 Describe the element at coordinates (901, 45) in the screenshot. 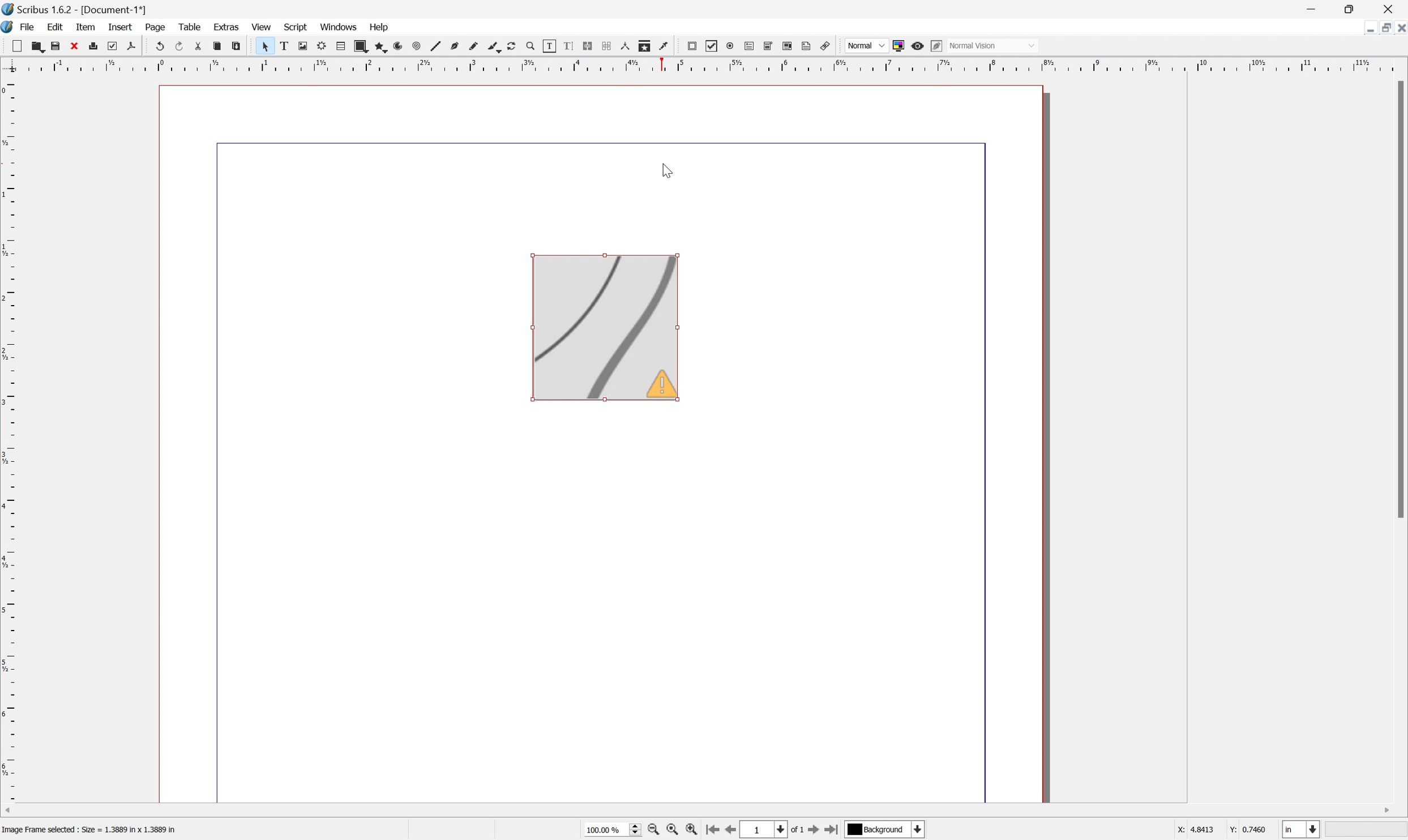

I see `Toggle color management system` at that location.